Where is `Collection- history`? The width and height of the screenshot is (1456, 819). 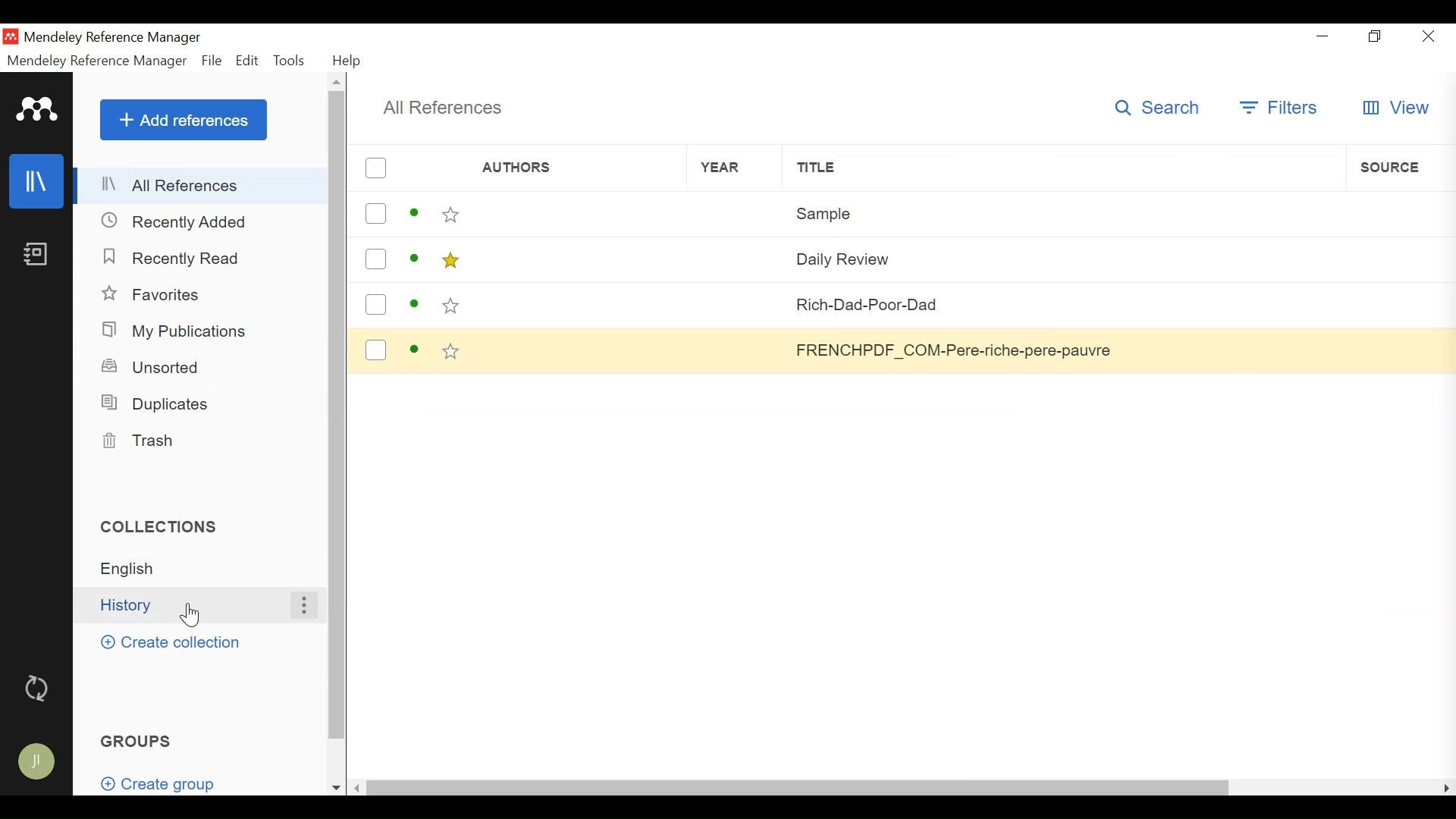 Collection- history is located at coordinates (188, 605).